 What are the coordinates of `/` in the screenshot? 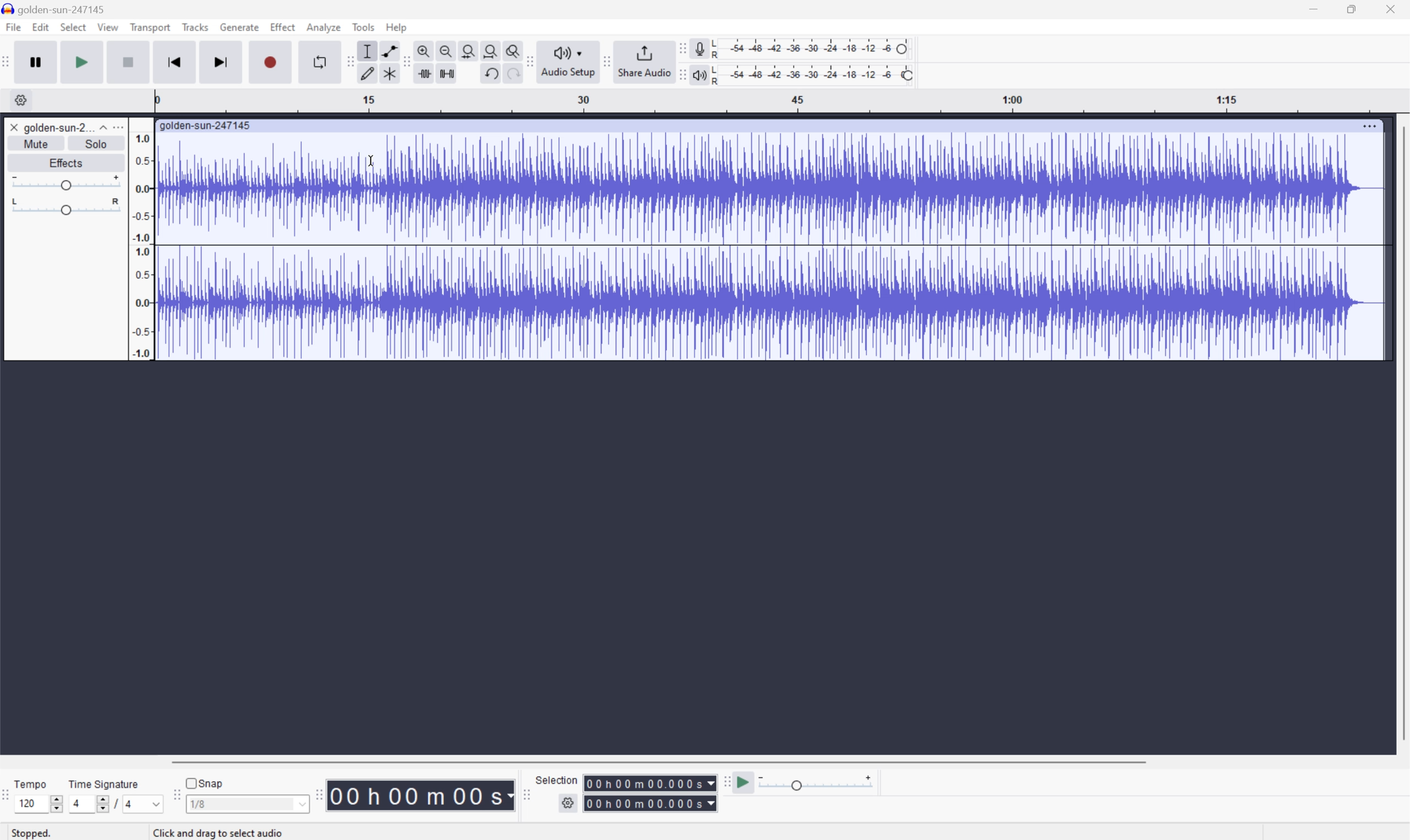 It's located at (114, 803).